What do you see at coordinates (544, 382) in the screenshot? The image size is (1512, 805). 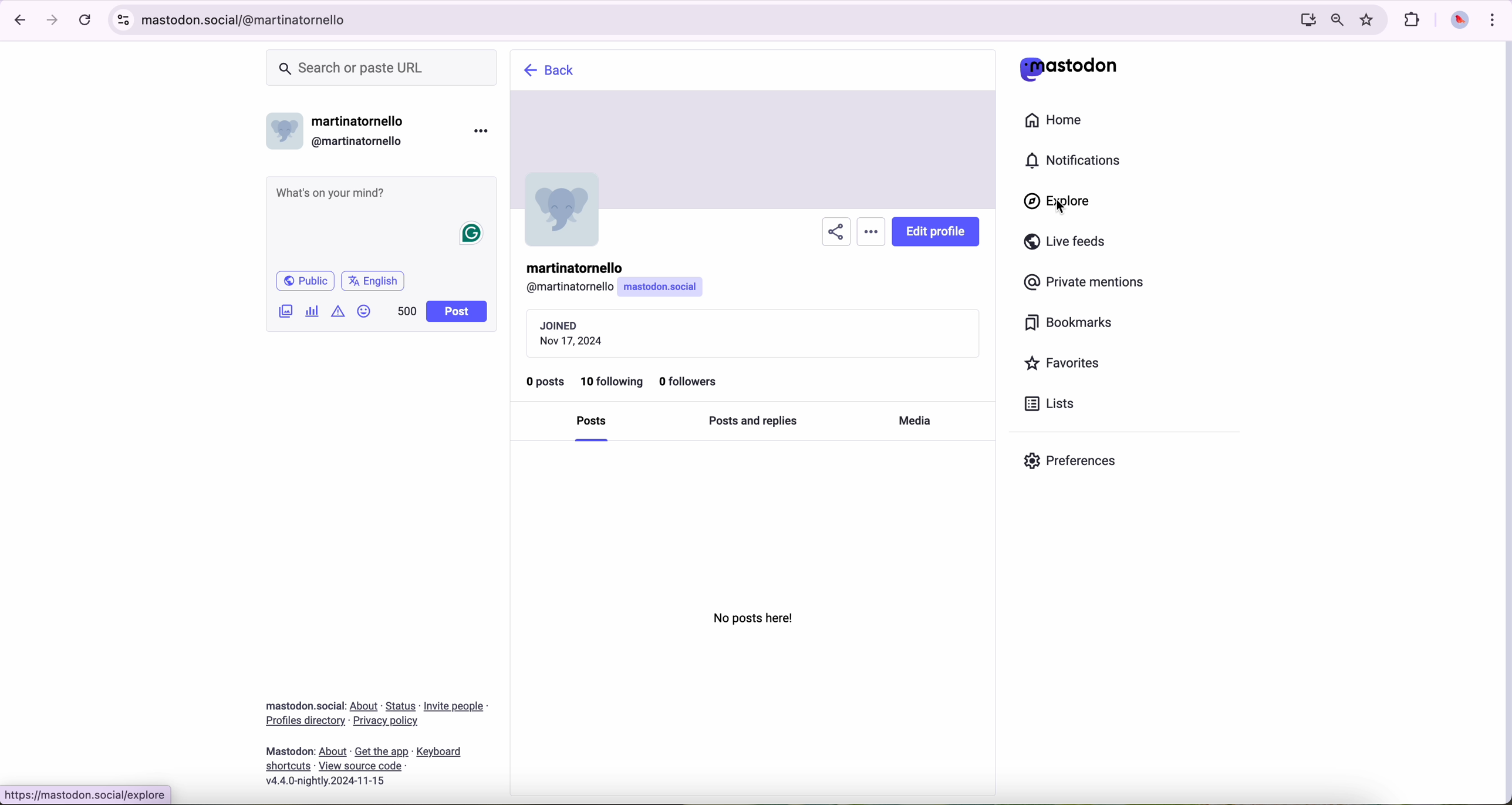 I see `0 posts` at bounding box center [544, 382].